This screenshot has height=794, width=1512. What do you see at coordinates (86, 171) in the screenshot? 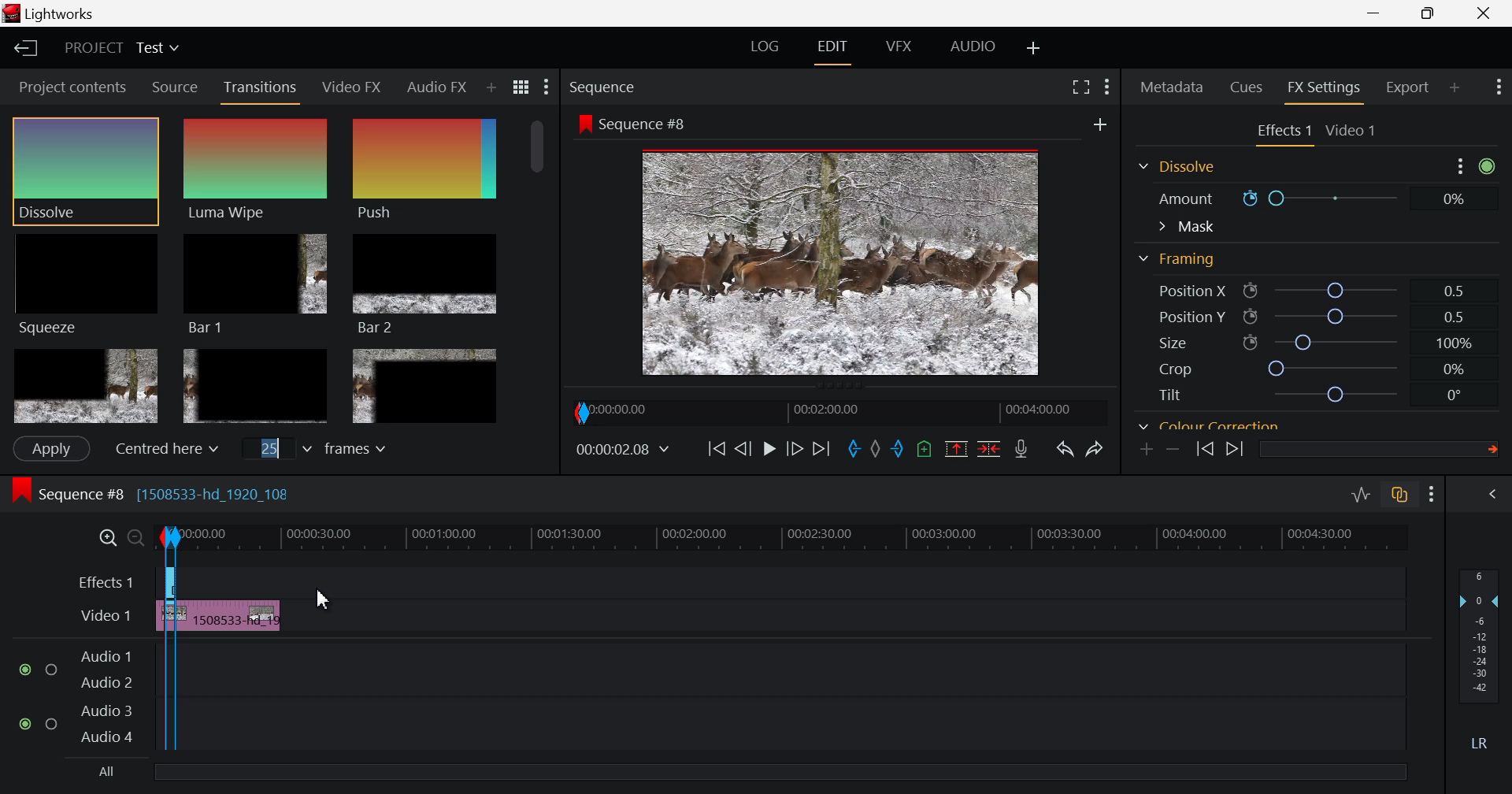
I see `Cursor MOUSE_DOWN on Dissolve` at bounding box center [86, 171].